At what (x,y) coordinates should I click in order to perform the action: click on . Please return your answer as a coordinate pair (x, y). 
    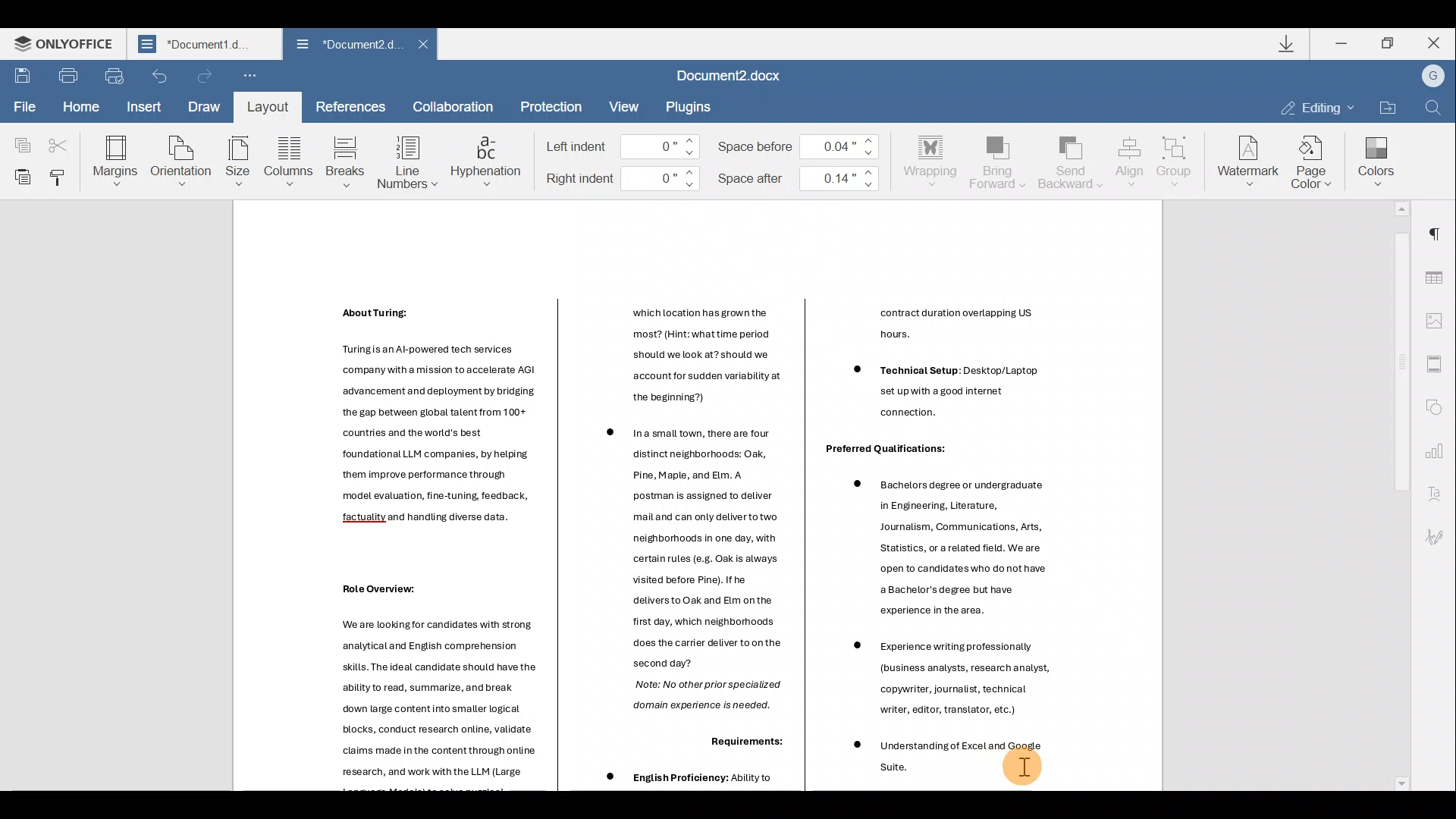
    Looking at the image, I should click on (945, 676).